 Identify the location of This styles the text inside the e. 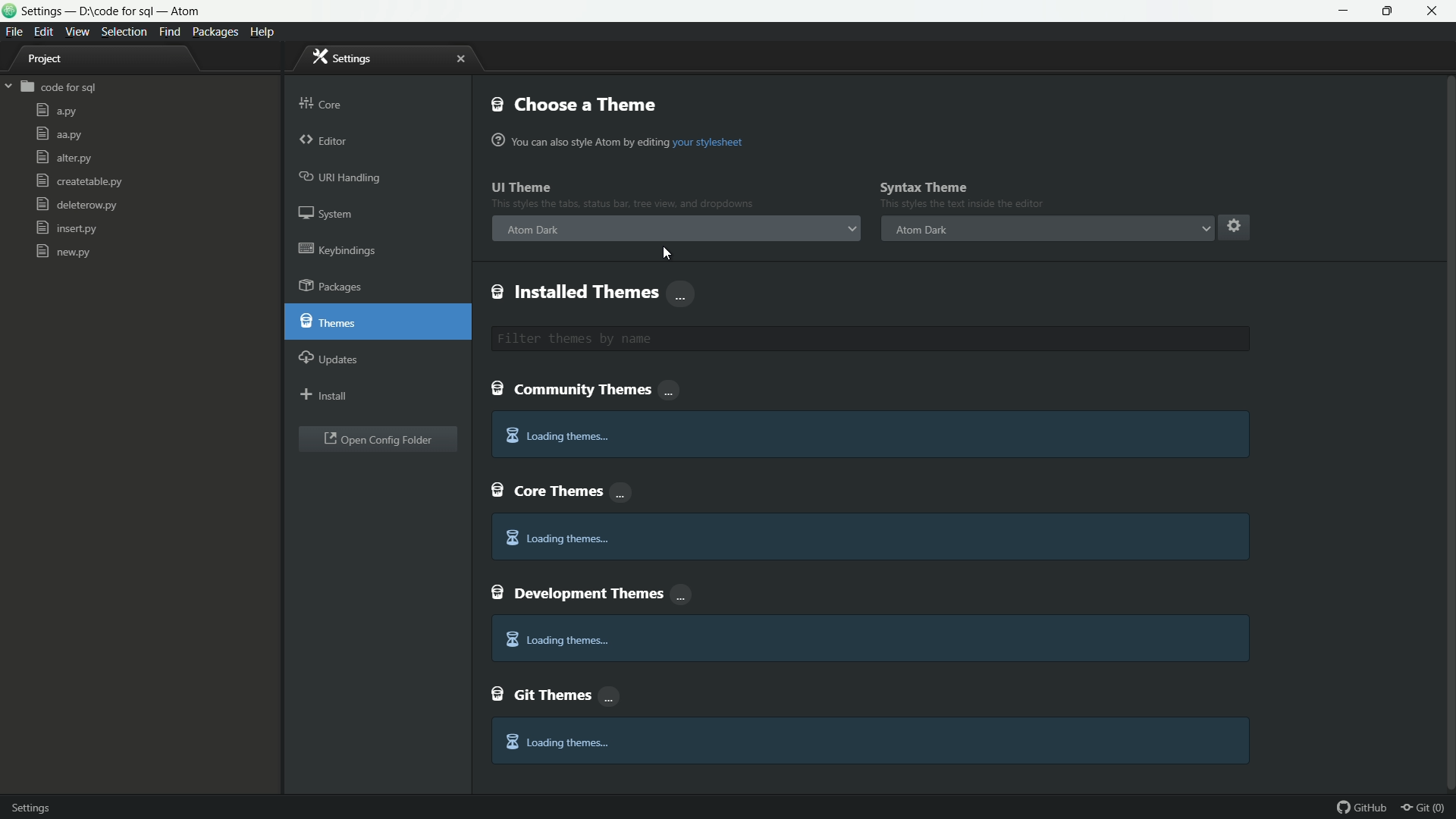
(623, 202).